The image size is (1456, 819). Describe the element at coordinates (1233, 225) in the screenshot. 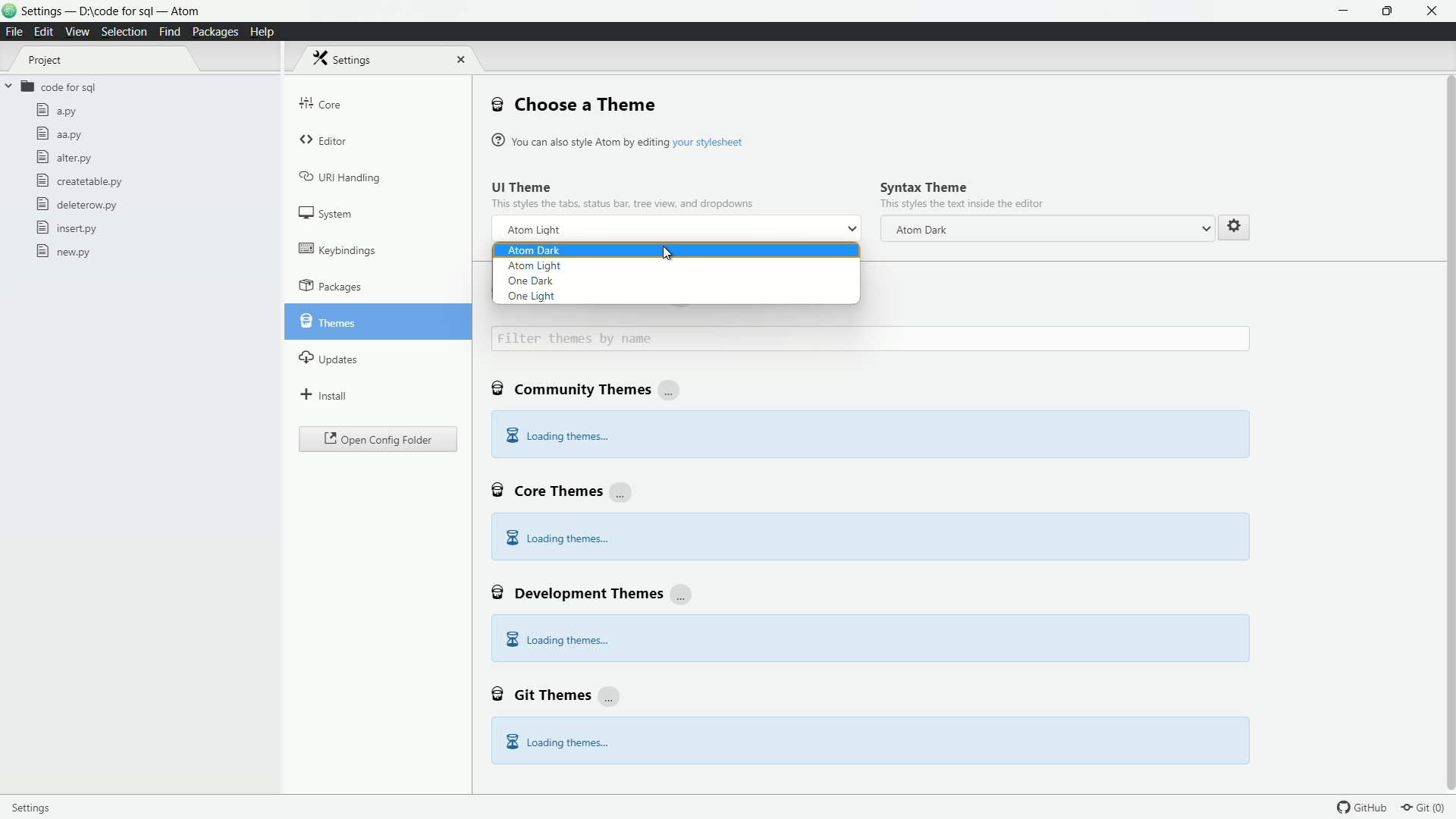

I see `settings` at that location.